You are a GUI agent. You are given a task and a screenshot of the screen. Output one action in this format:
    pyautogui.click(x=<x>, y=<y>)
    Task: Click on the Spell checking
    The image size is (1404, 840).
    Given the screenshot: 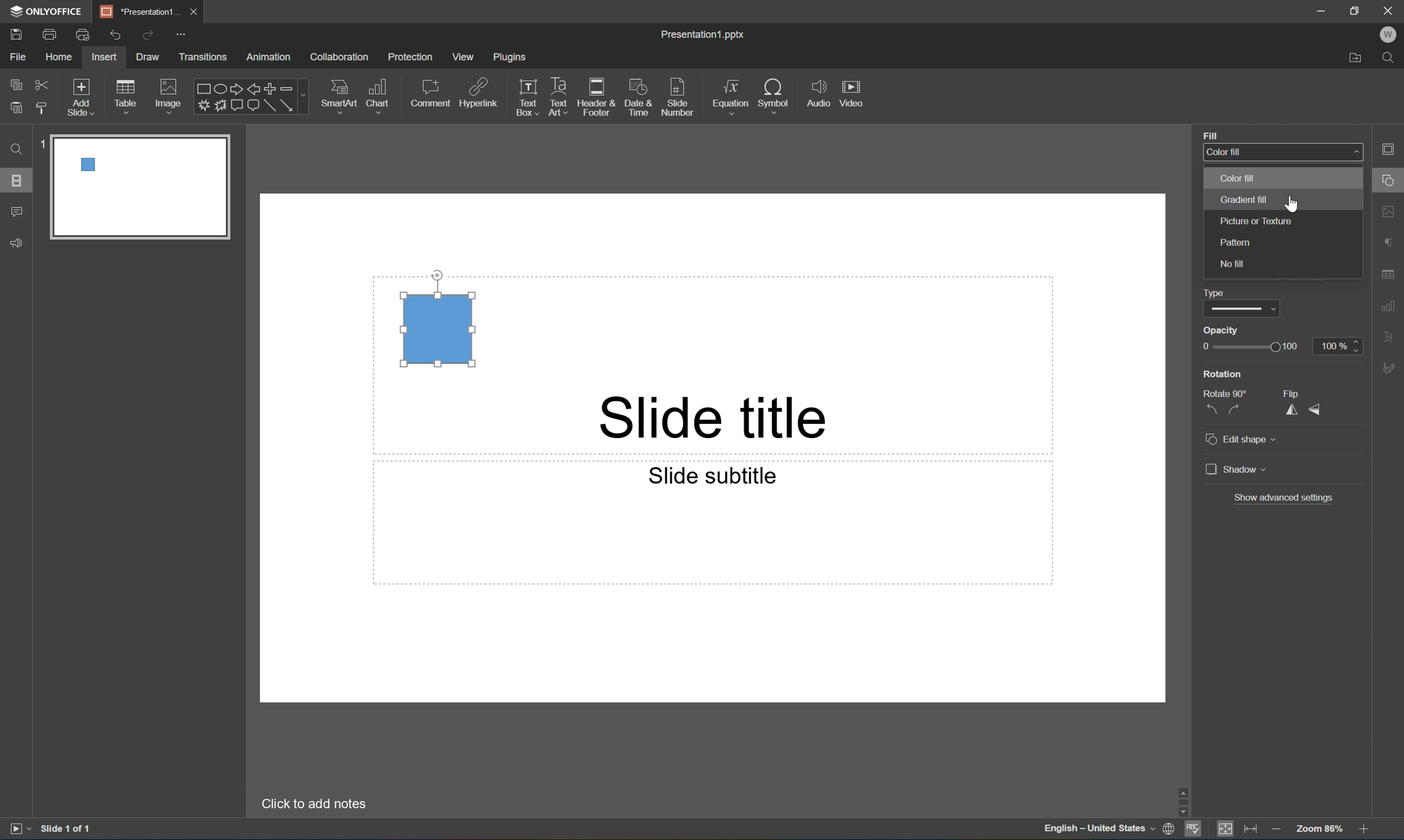 What is the action you would take?
    pyautogui.click(x=1193, y=830)
    